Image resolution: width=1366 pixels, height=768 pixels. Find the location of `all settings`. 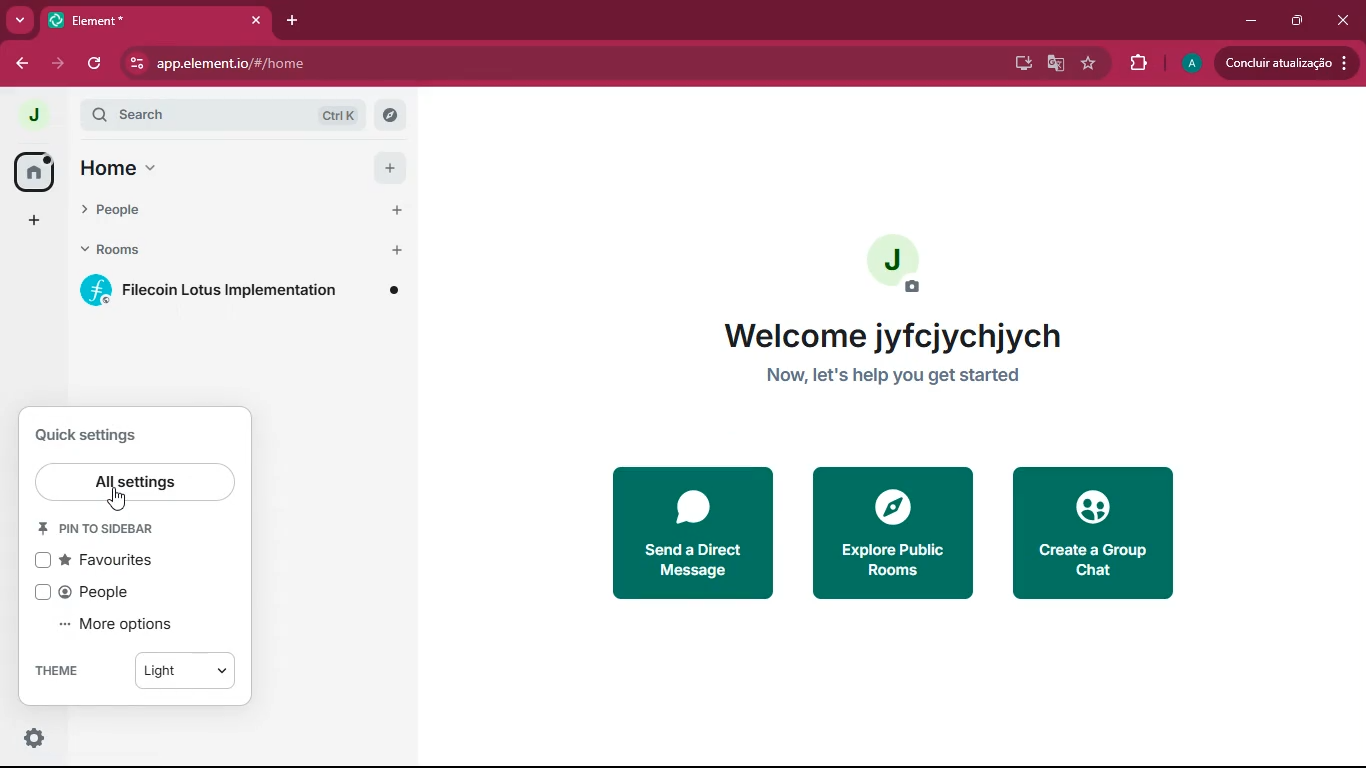

all settings is located at coordinates (136, 477).